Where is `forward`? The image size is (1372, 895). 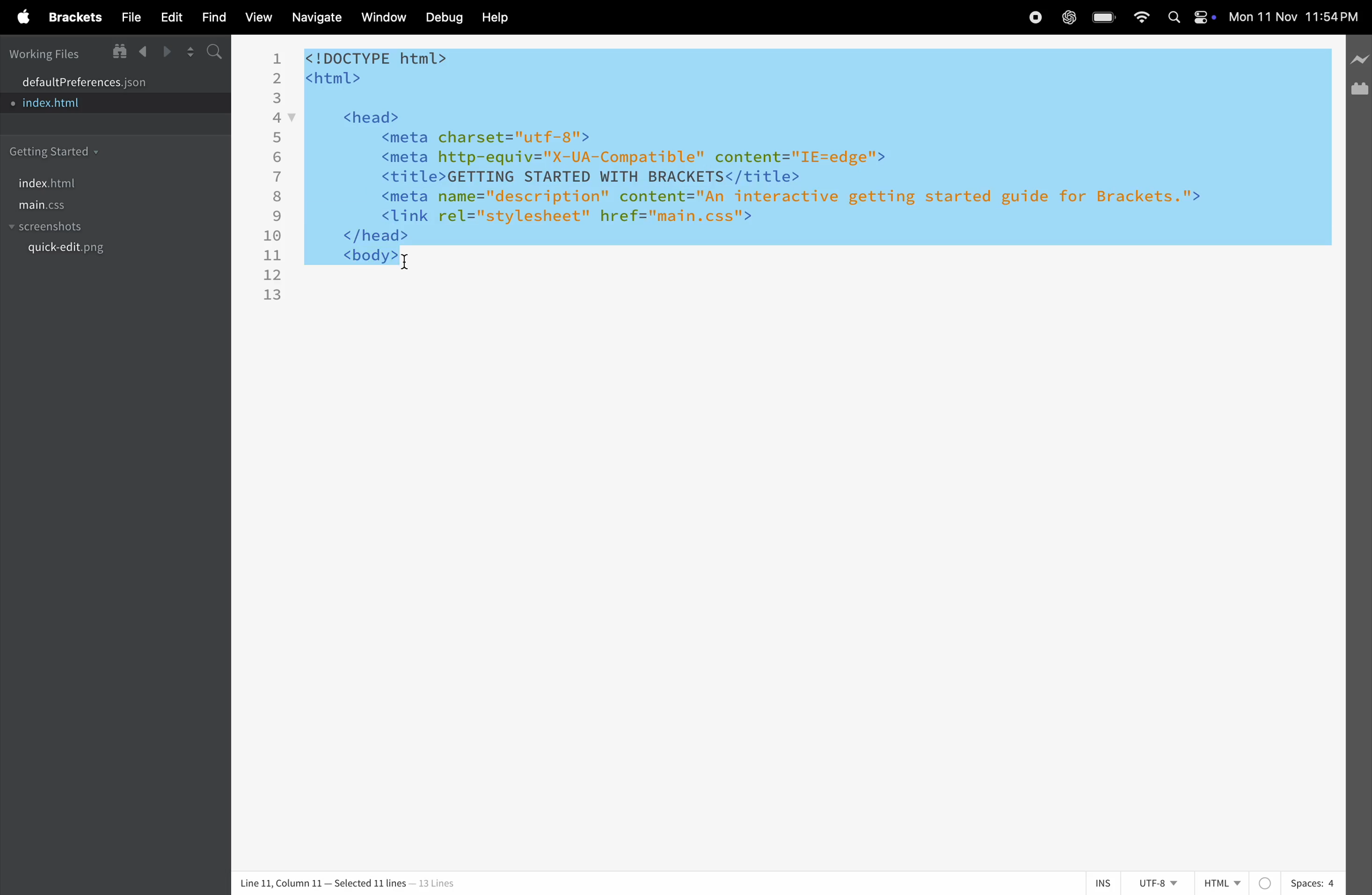
forward is located at coordinates (168, 52).